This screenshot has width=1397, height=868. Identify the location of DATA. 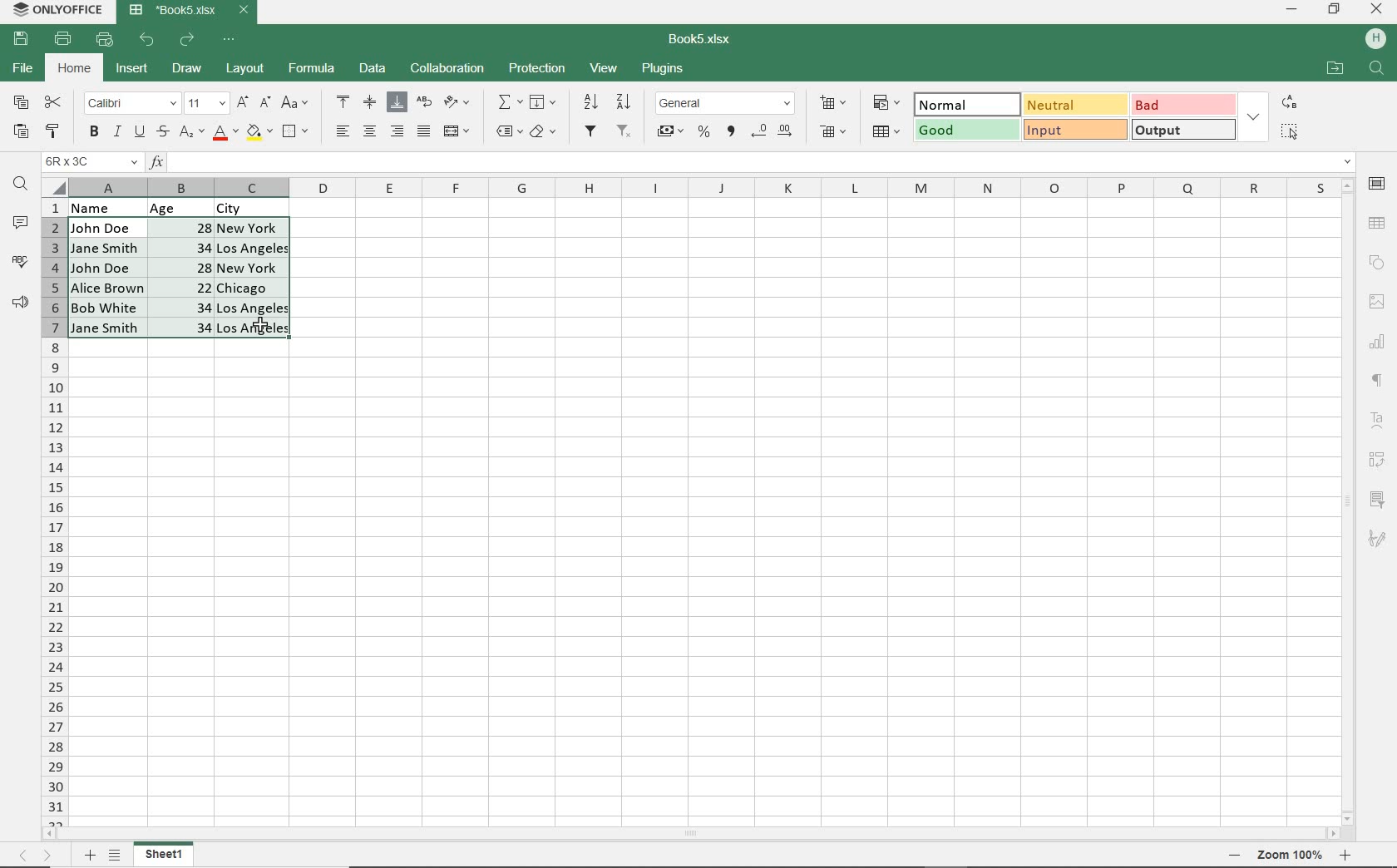
(192, 206).